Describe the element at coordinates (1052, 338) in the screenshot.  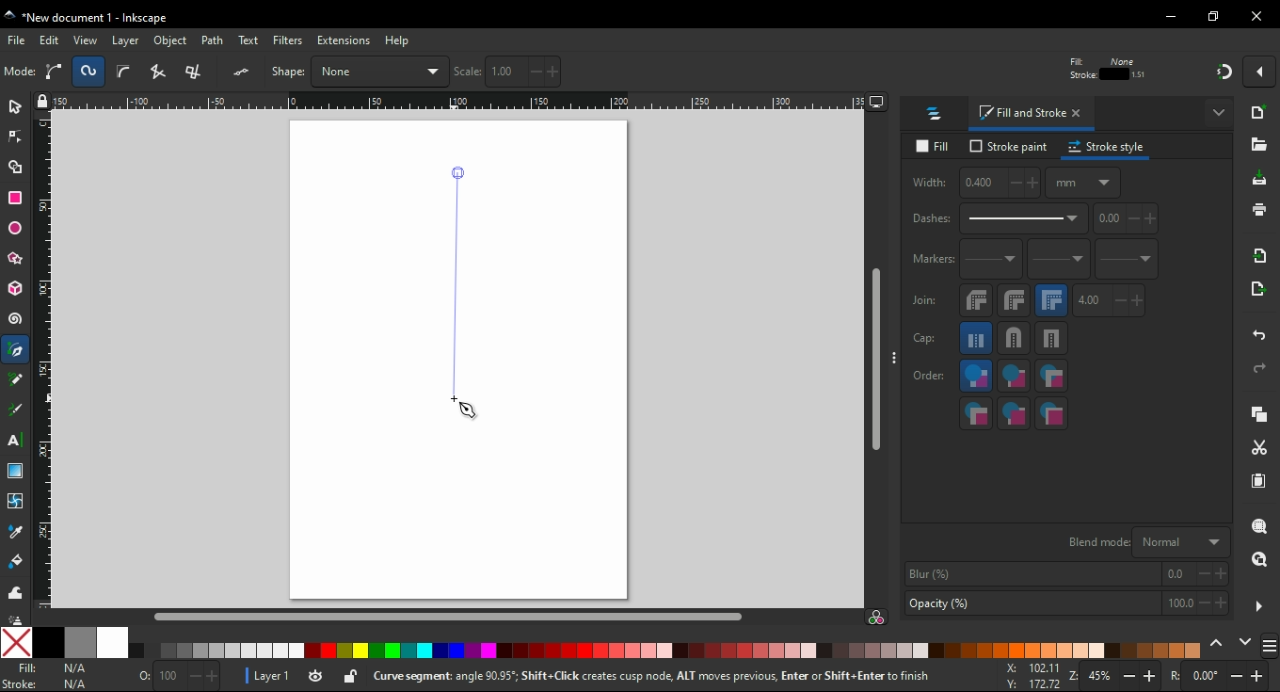
I see `square` at that location.